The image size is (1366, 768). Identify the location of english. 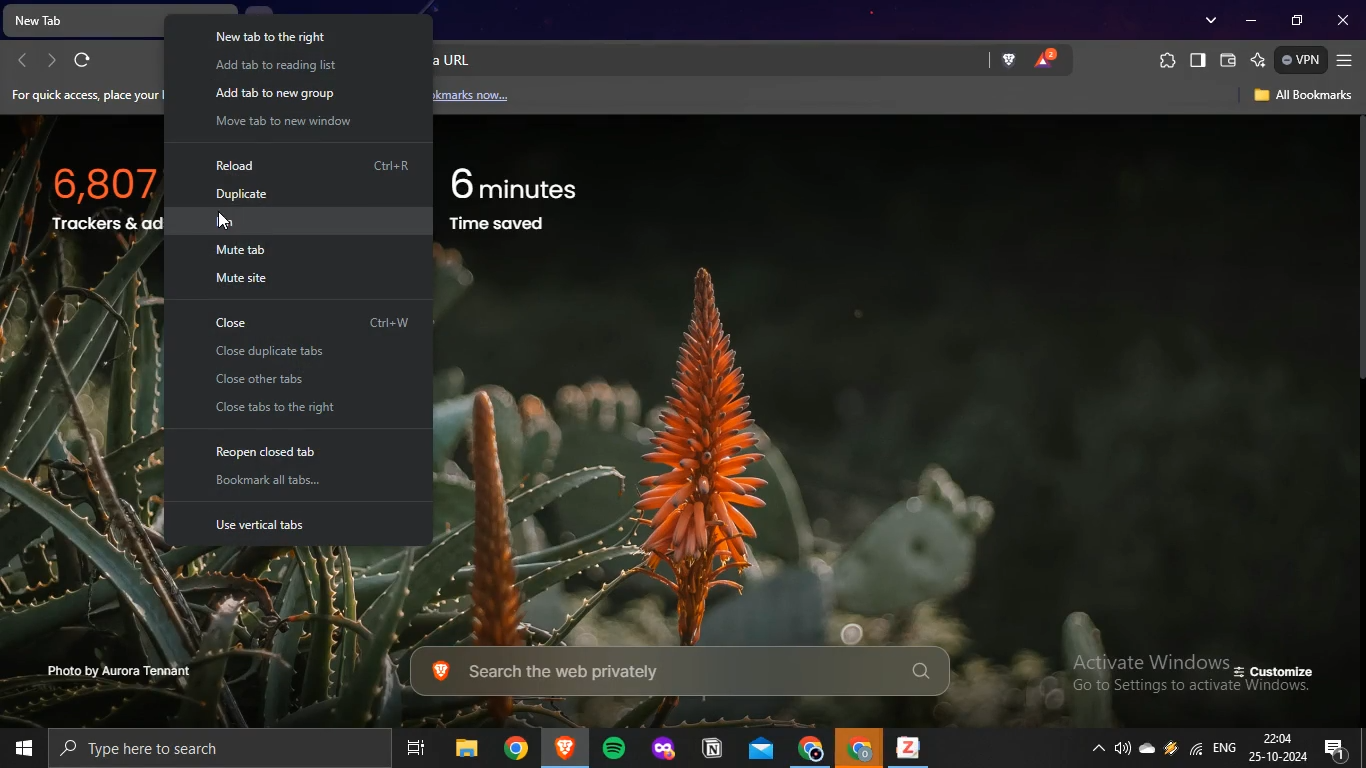
(1229, 748).